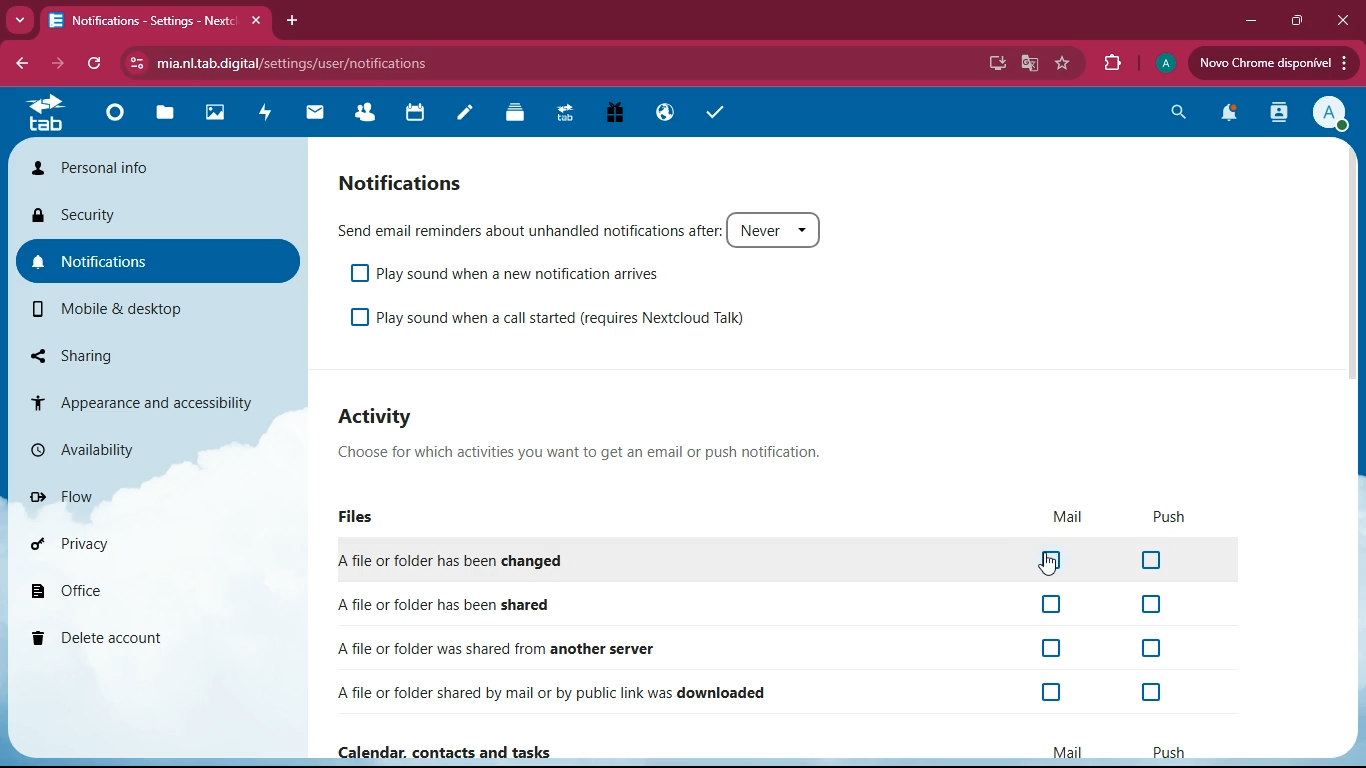 The image size is (1366, 768). I want to click on tasks, so click(709, 113).